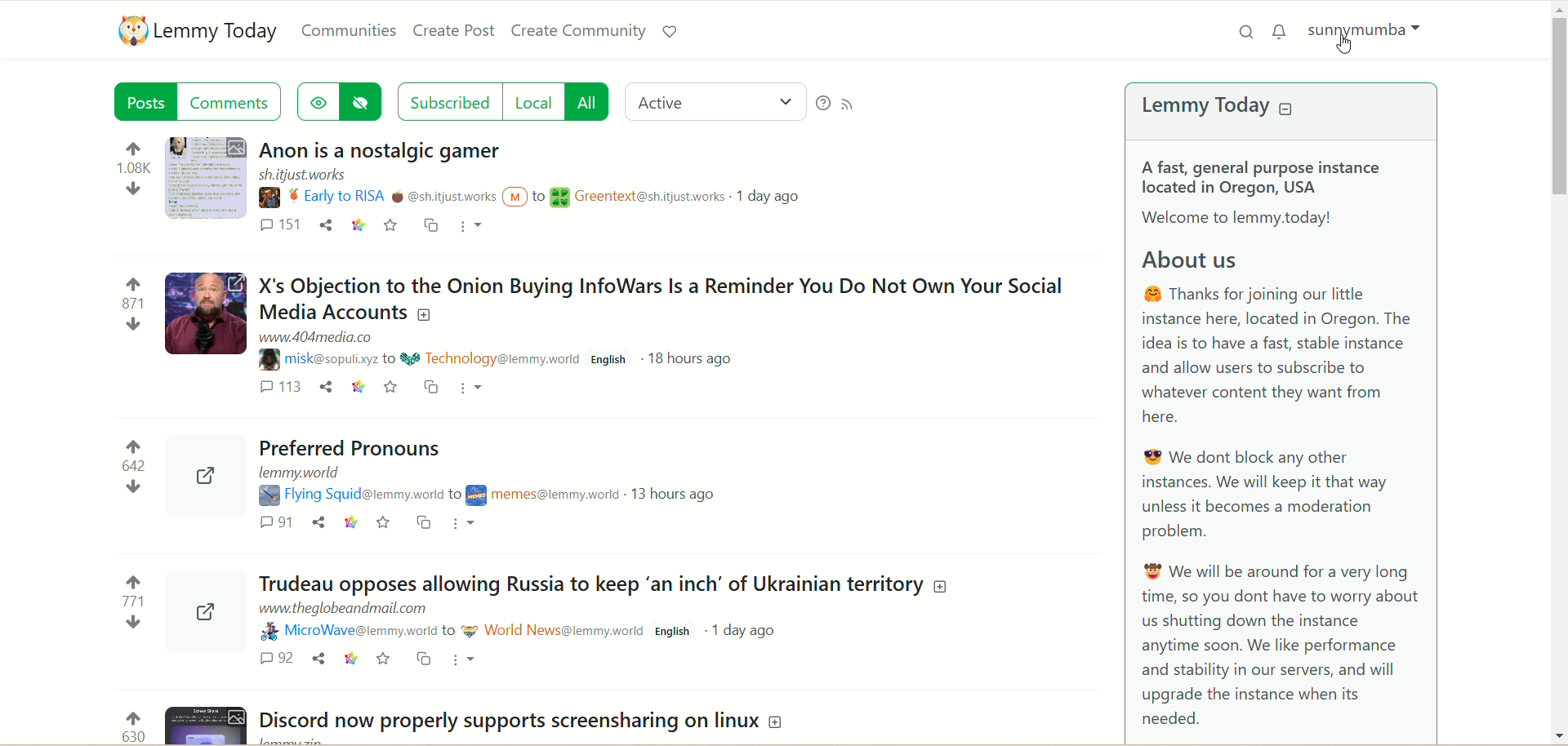 This screenshot has width=1568, height=746. I want to click on More options, so click(465, 661).